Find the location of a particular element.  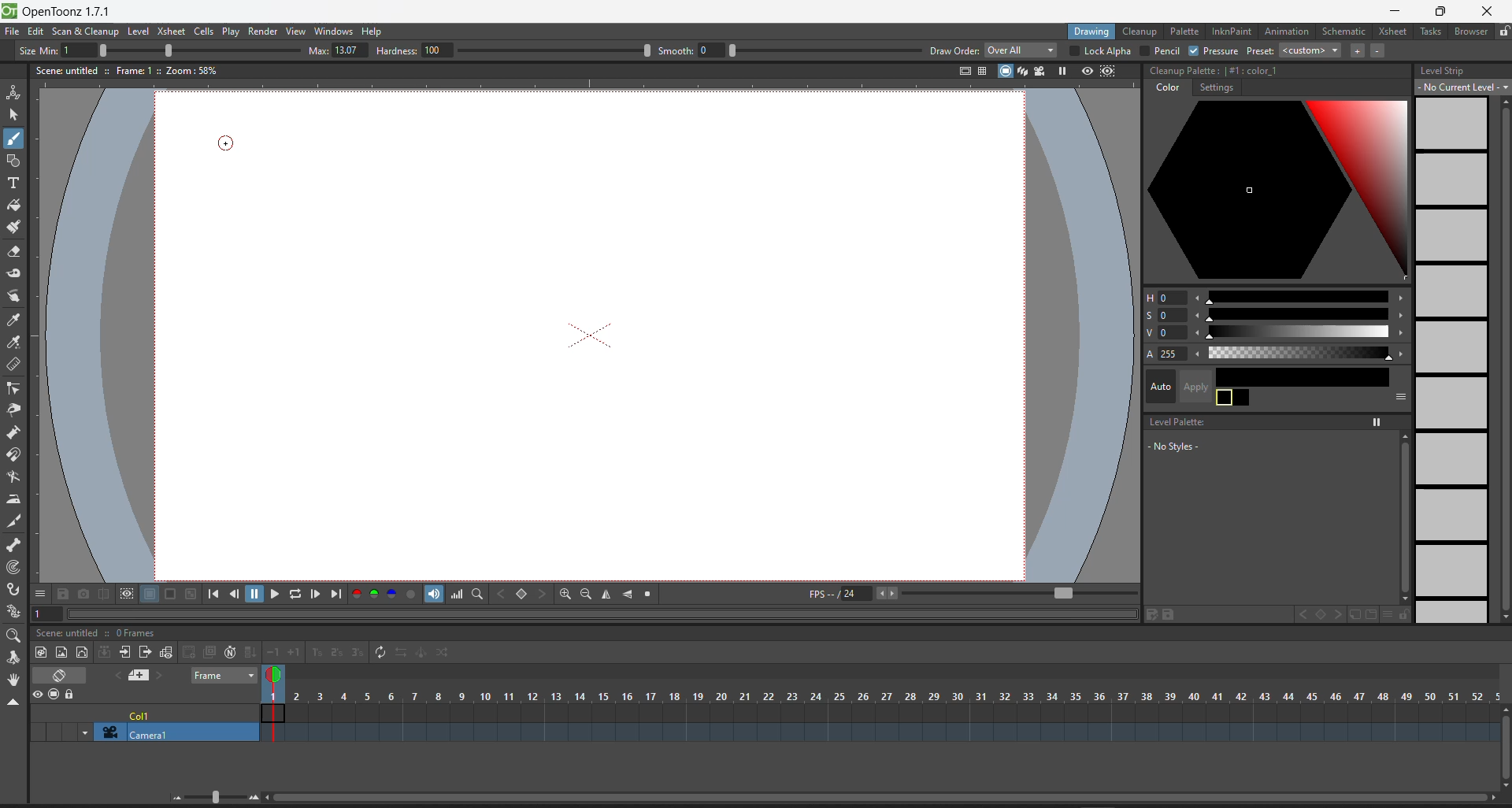

animate tool is located at coordinates (15, 92).